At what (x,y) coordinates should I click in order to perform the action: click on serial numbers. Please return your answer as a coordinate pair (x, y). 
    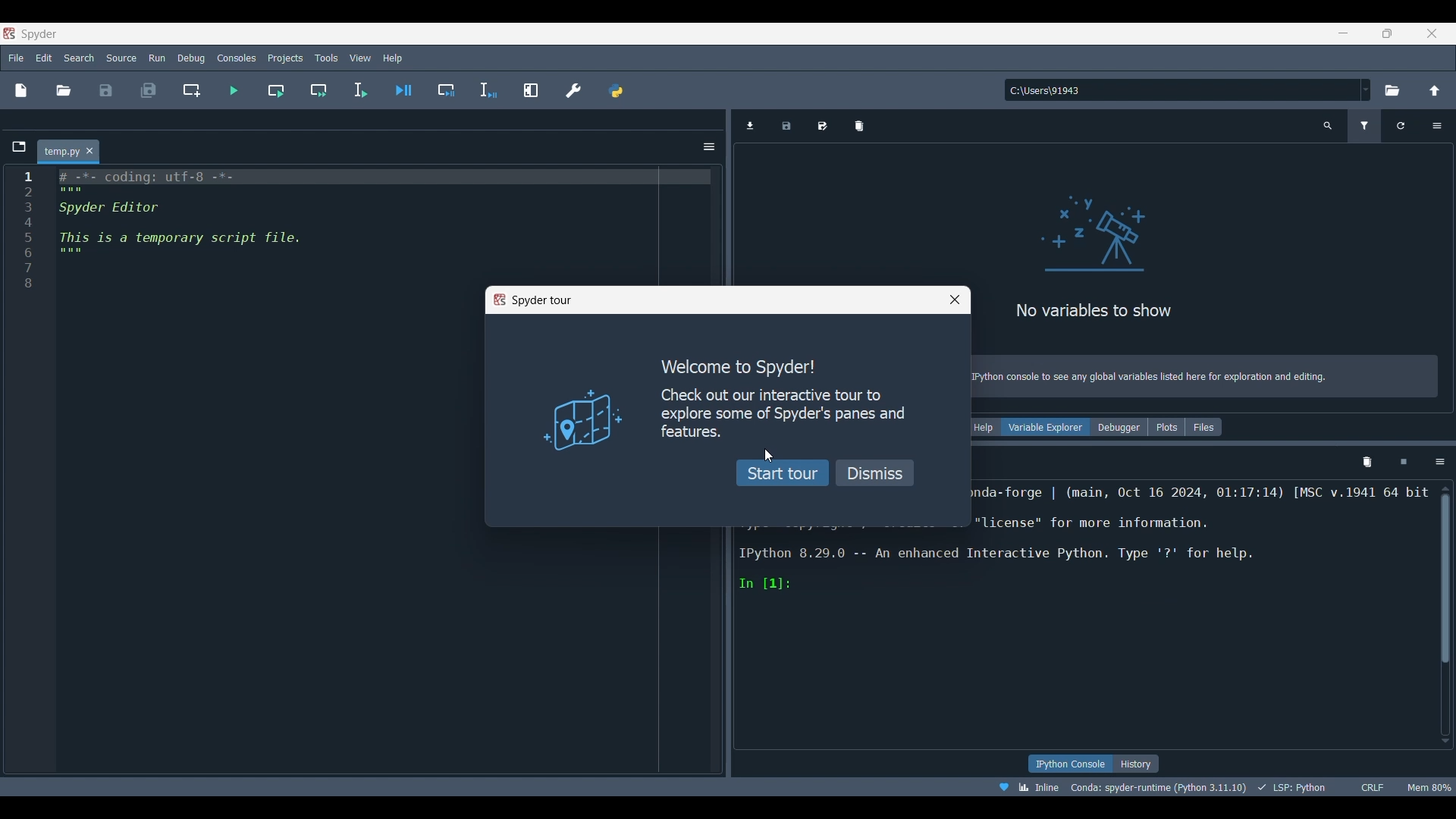
    Looking at the image, I should click on (23, 240).